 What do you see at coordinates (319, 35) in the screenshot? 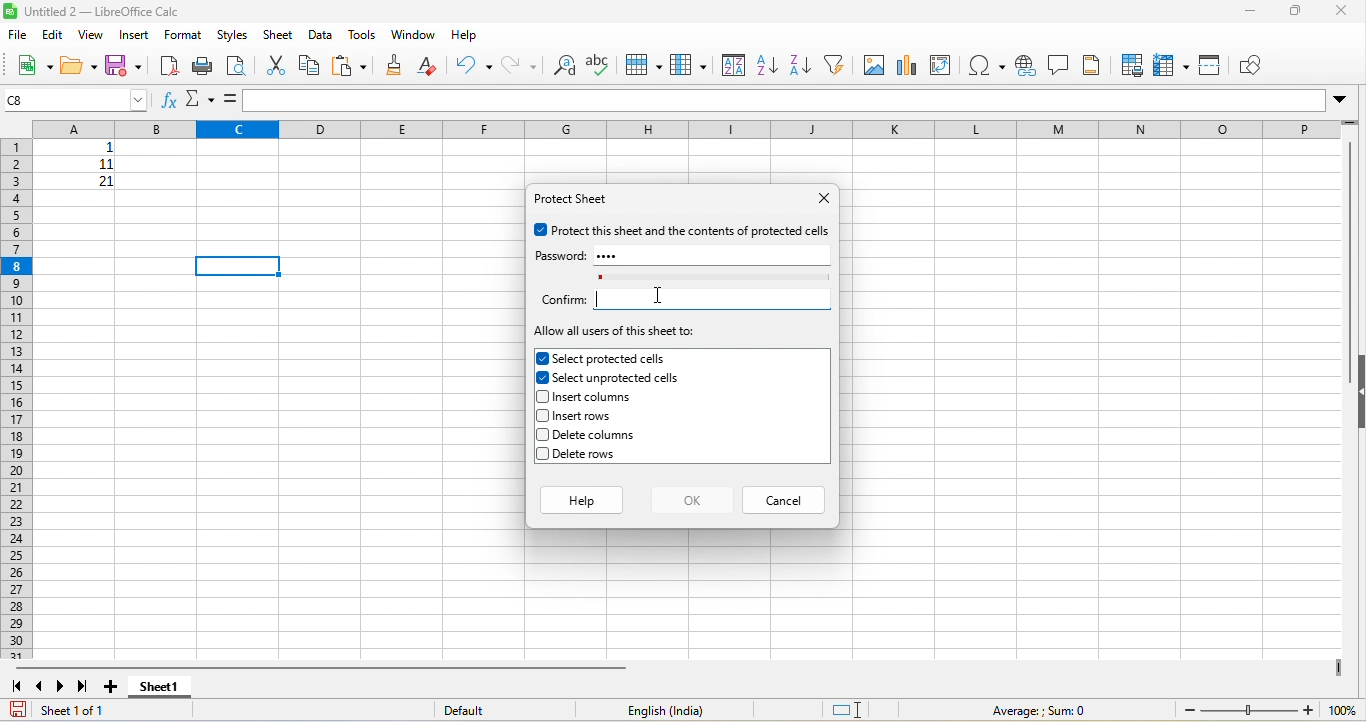
I see `data` at bounding box center [319, 35].